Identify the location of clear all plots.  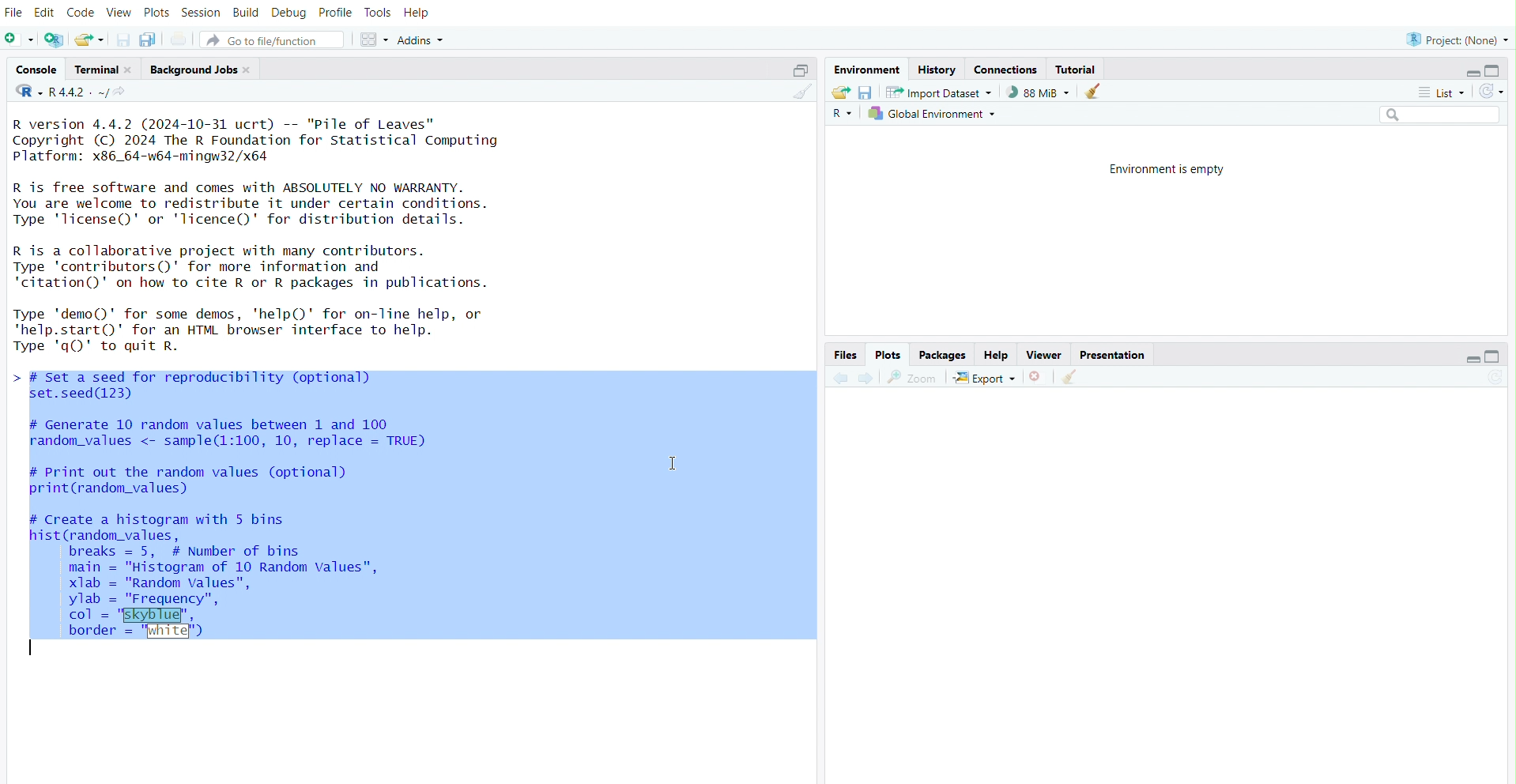
(1073, 377).